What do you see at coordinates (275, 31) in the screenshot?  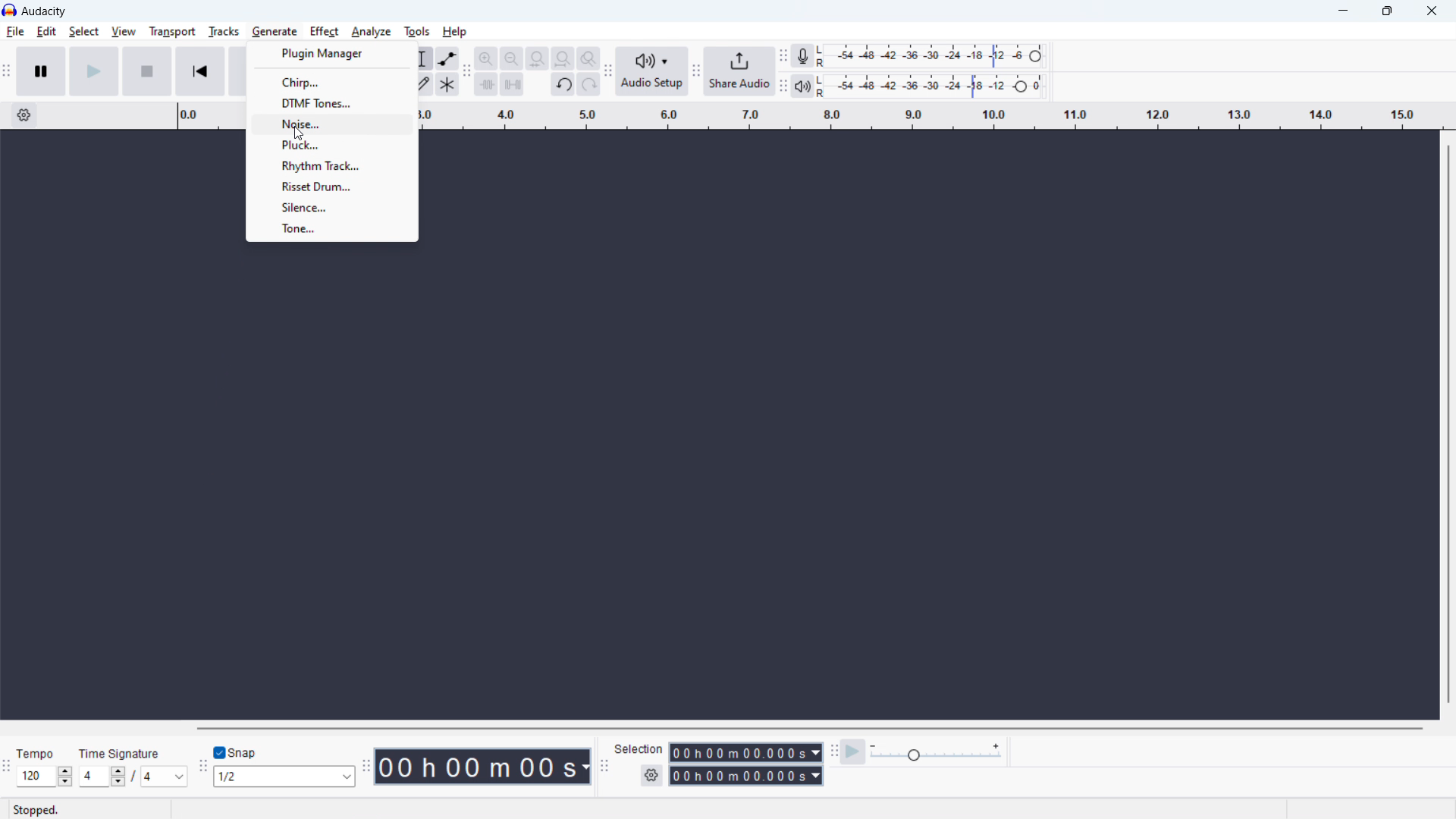 I see `Cursor on generate` at bounding box center [275, 31].